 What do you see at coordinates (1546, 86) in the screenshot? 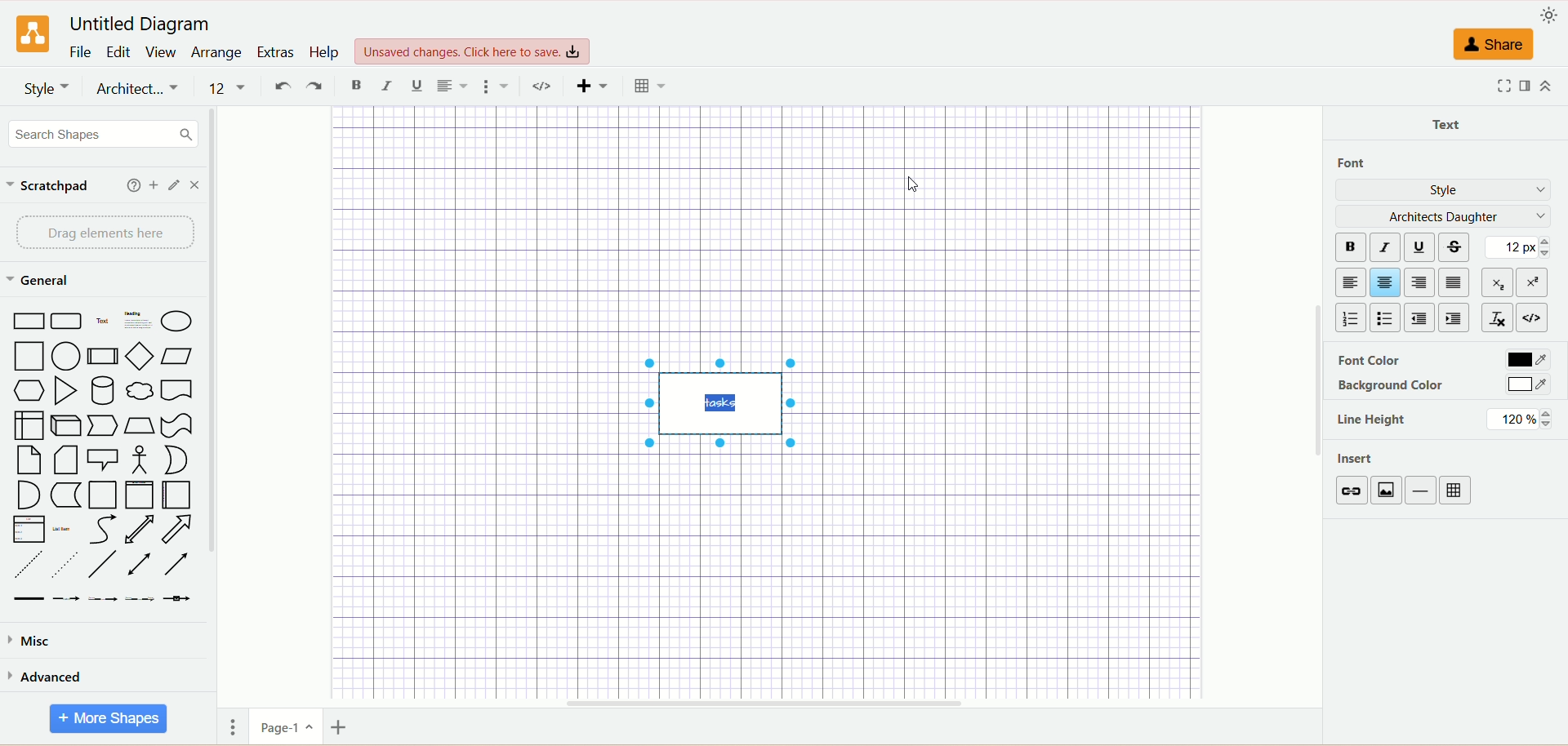
I see `collapse/expand` at bounding box center [1546, 86].